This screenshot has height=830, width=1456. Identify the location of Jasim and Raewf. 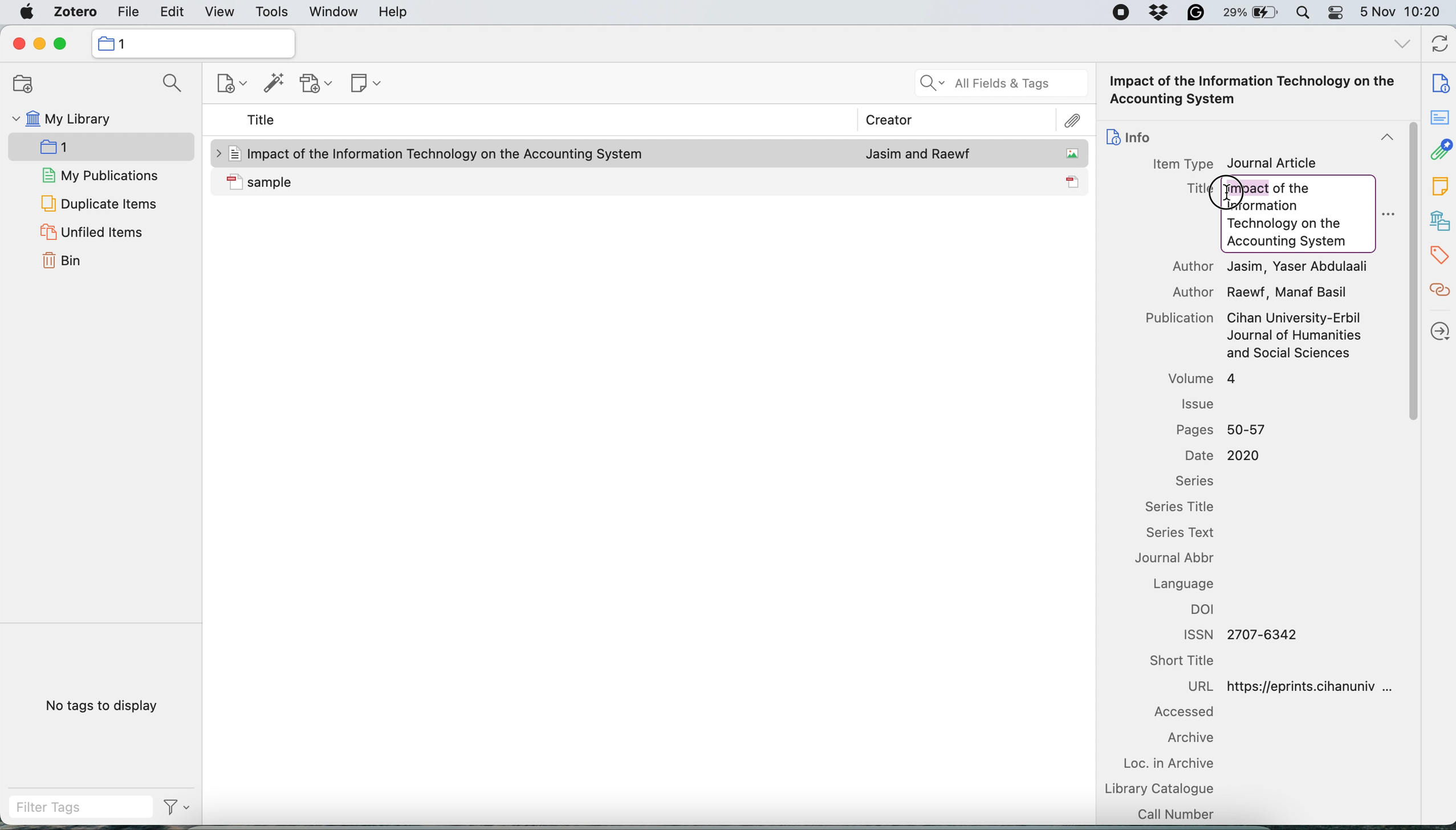
(918, 152).